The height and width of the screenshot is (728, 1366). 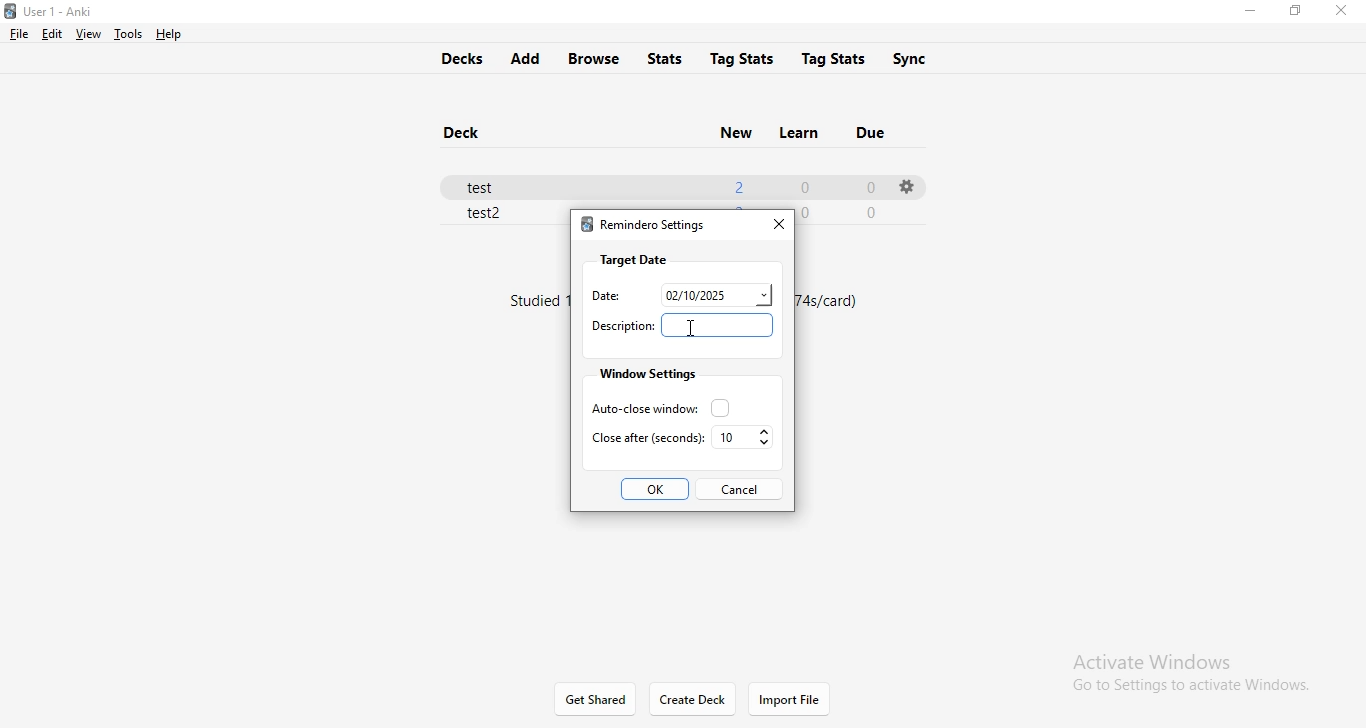 What do you see at coordinates (486, 215) in the screenshot?
I see `test 2` at bounding box center [486, 215].